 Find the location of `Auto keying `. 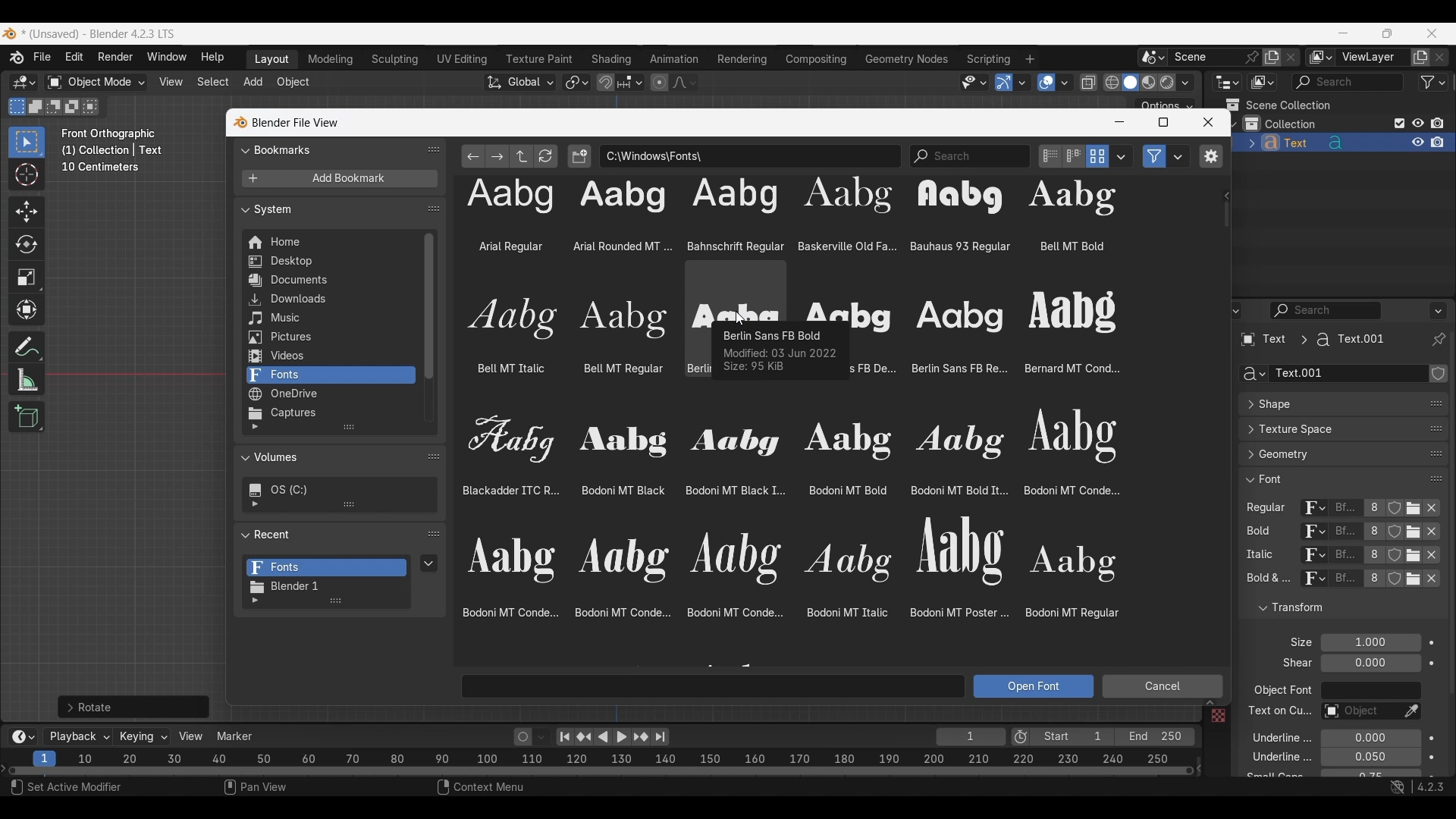

Auto keying  is located at coordinates (523, 737).